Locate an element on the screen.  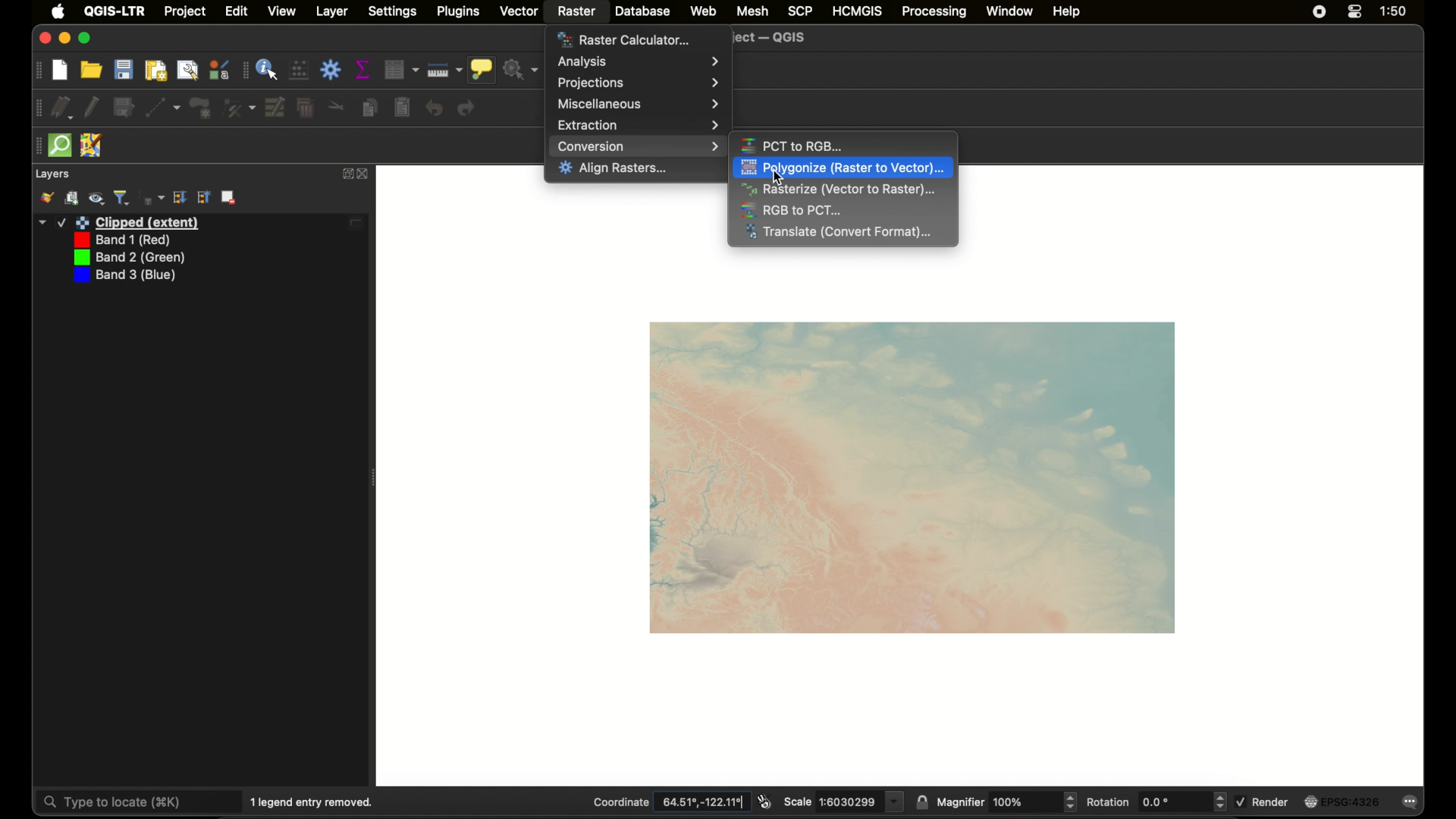
scp is located at coordinates (797, 10).